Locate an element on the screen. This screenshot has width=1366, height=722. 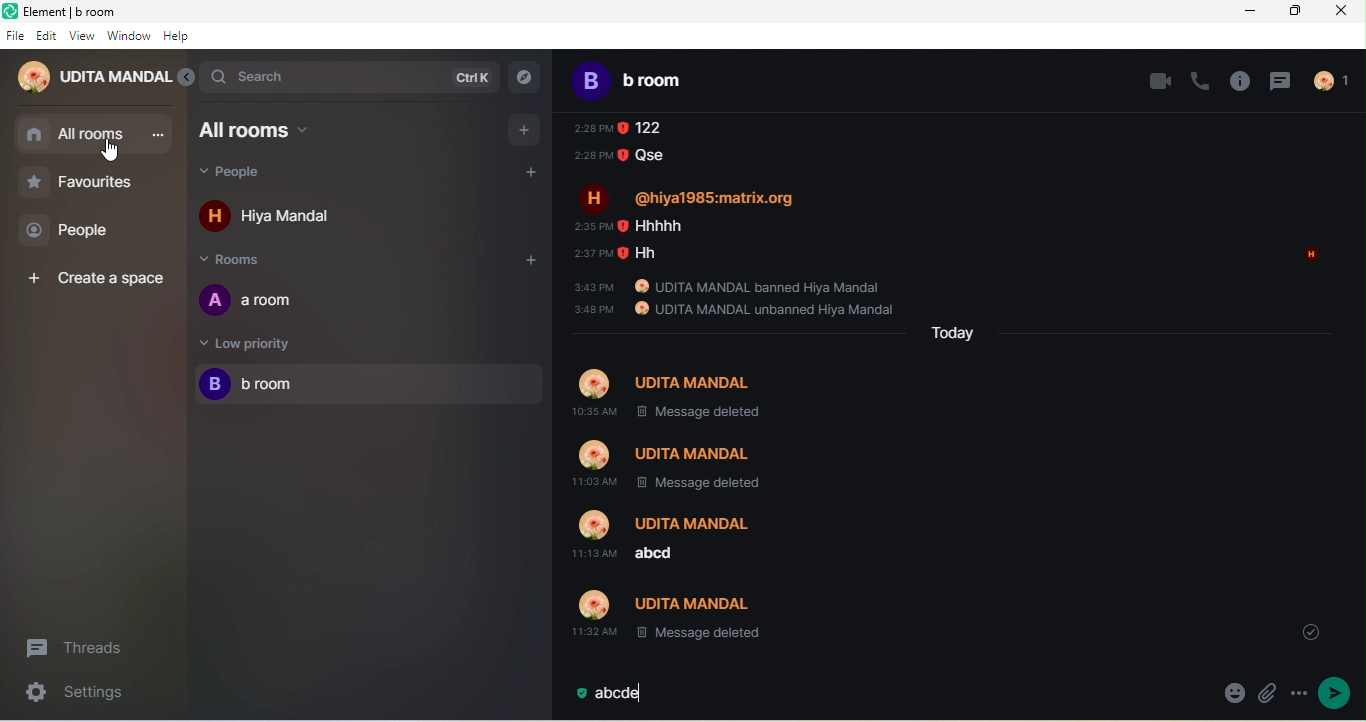
low priority is located at coordinates (251, 342).